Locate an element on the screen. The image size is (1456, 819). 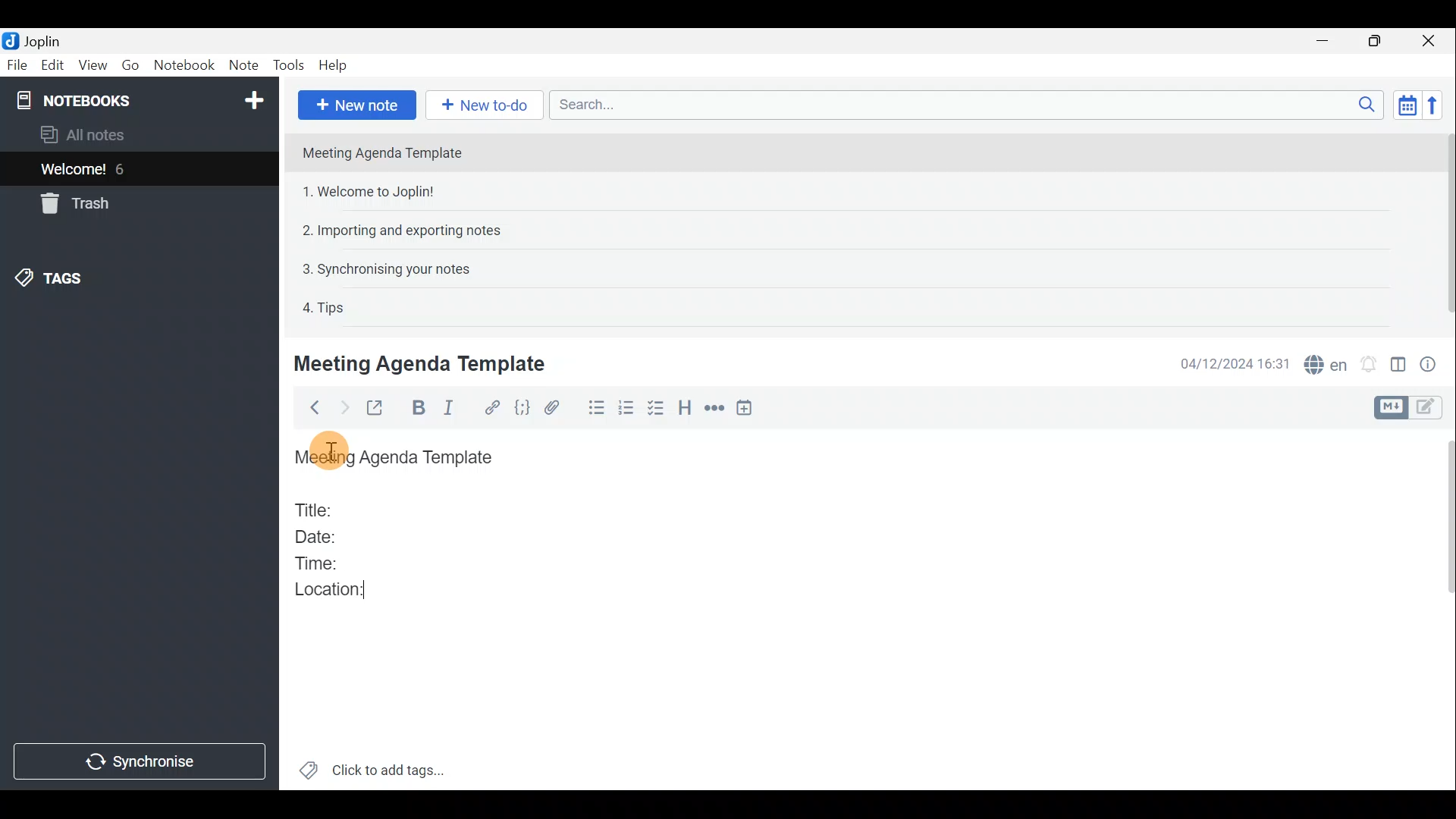
Set alarm is located at coordinates (1370, 364).